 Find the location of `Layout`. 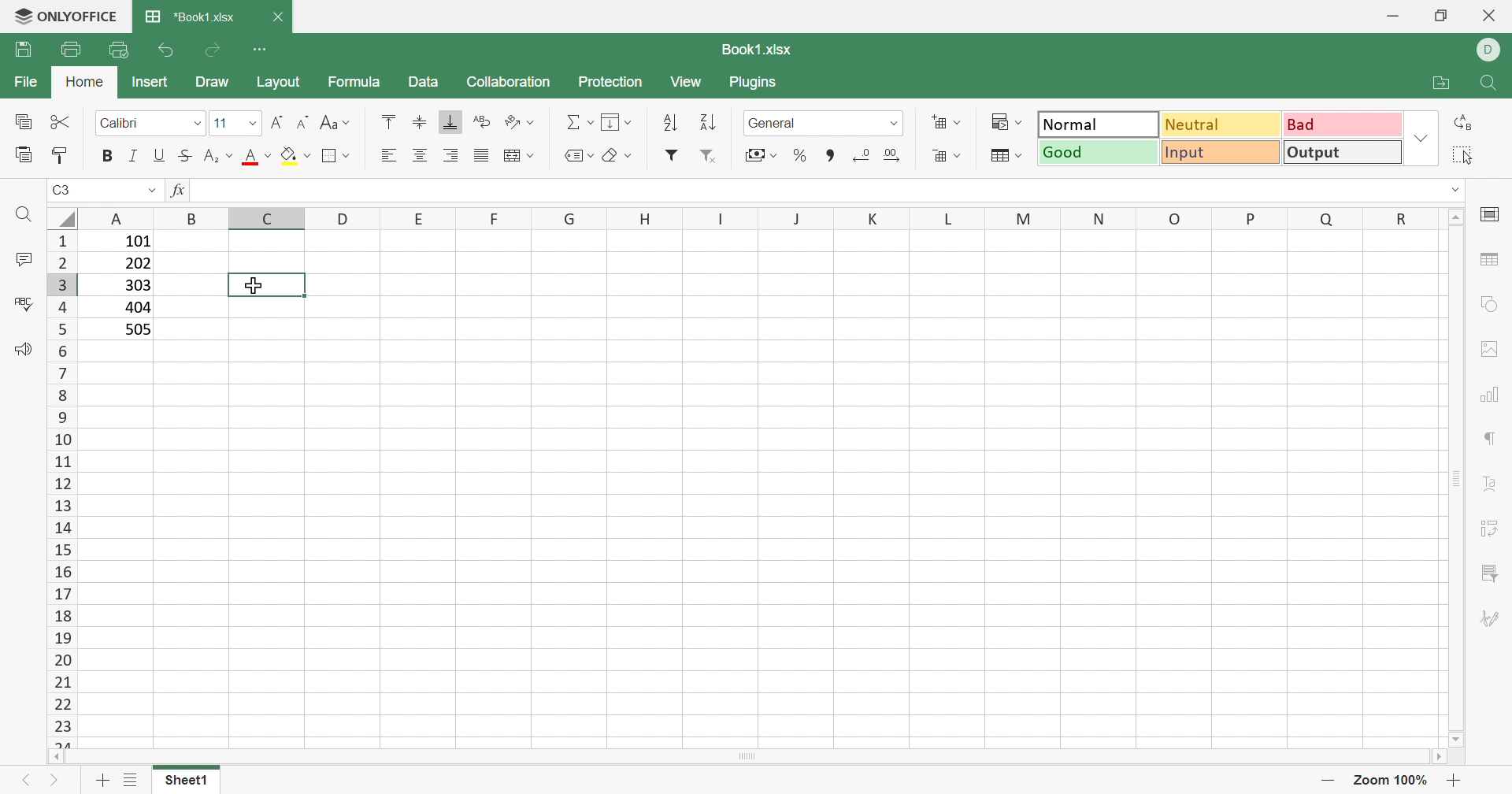

Layout is located at coordinates (284, 83).